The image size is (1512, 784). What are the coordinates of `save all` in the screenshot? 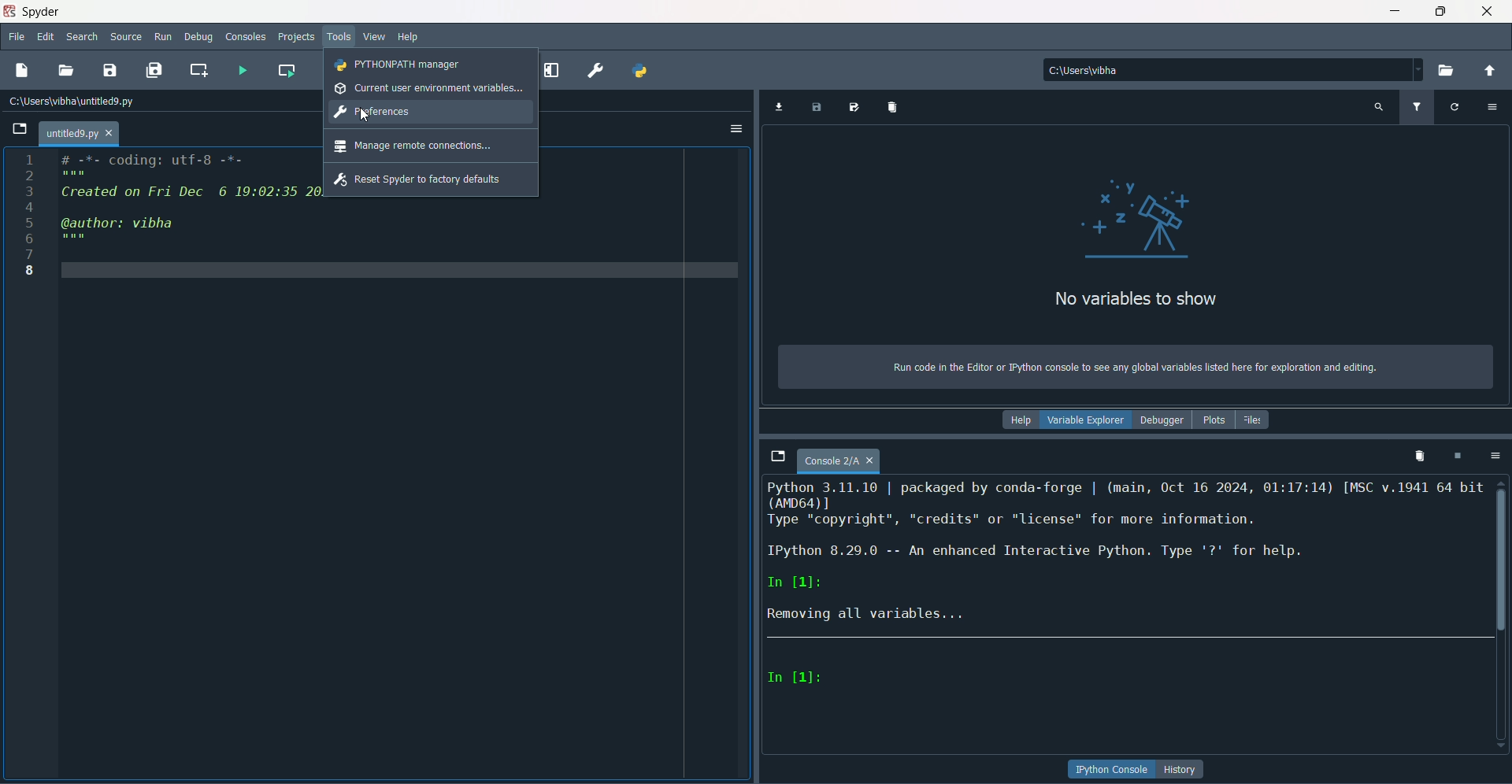 It's located at (154, 70).